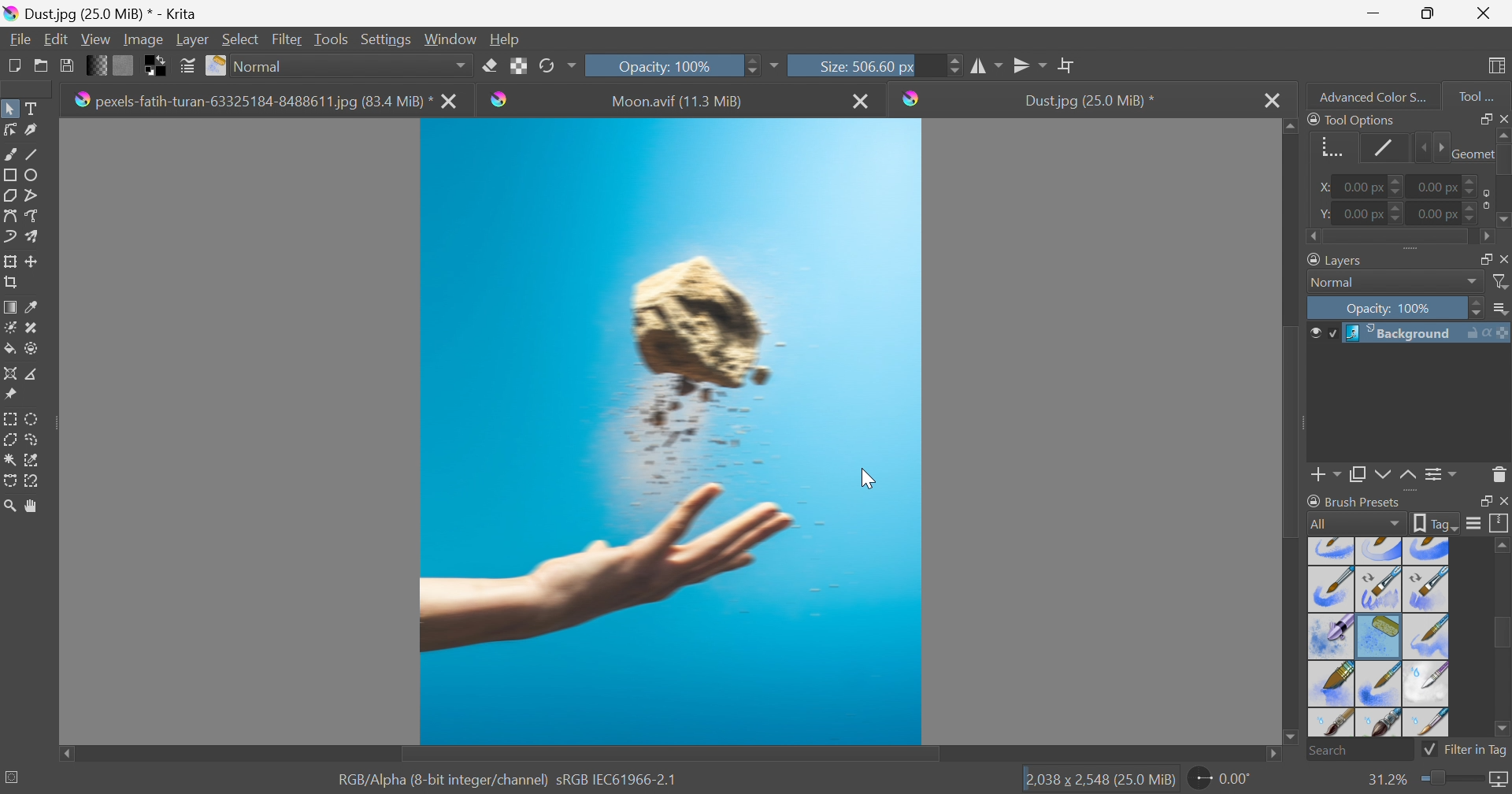 The height and width of the screenshot is (794, 1512). I want to click on Filter, so click(289, 39).